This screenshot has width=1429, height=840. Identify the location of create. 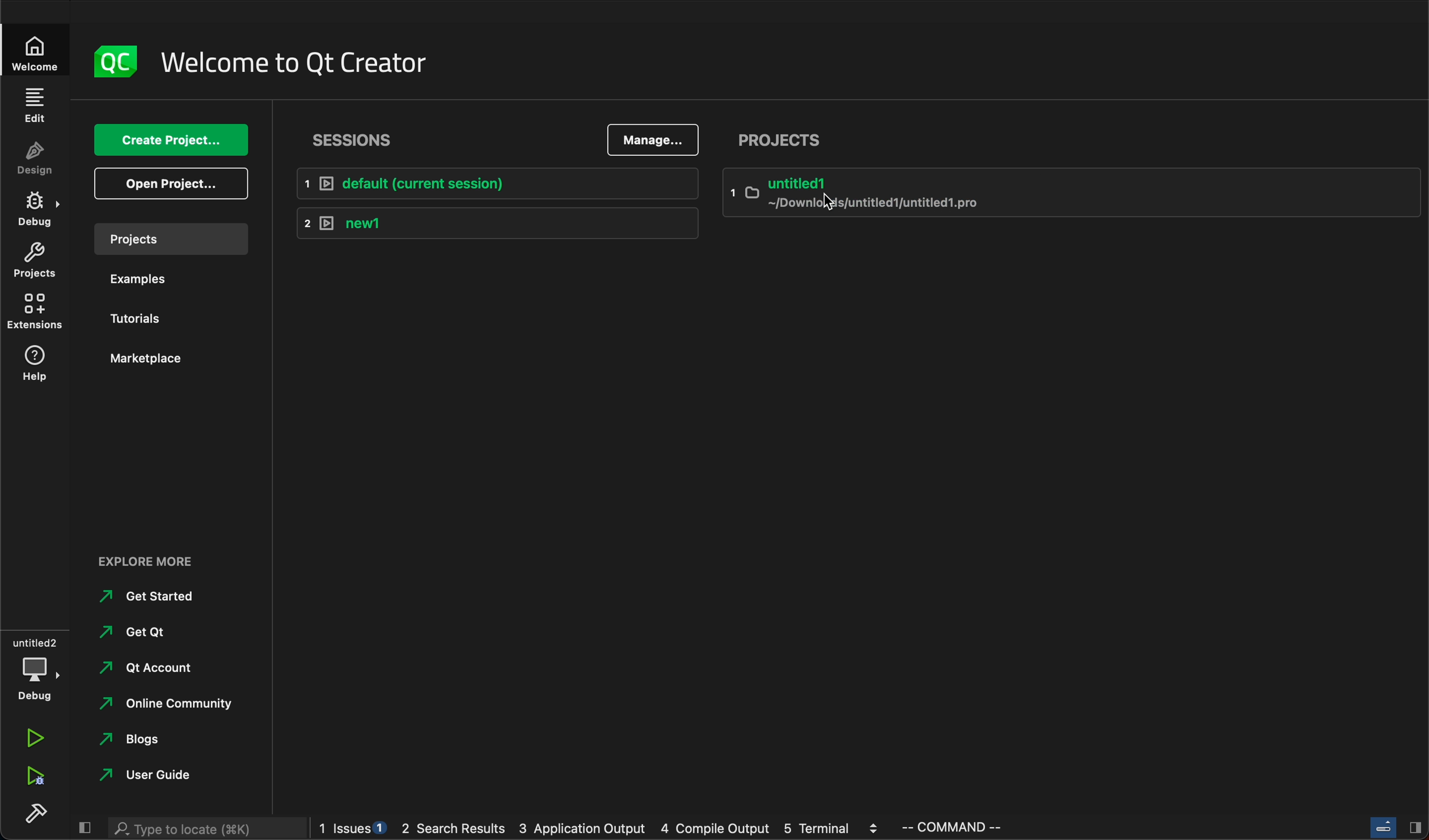
(171, 141).